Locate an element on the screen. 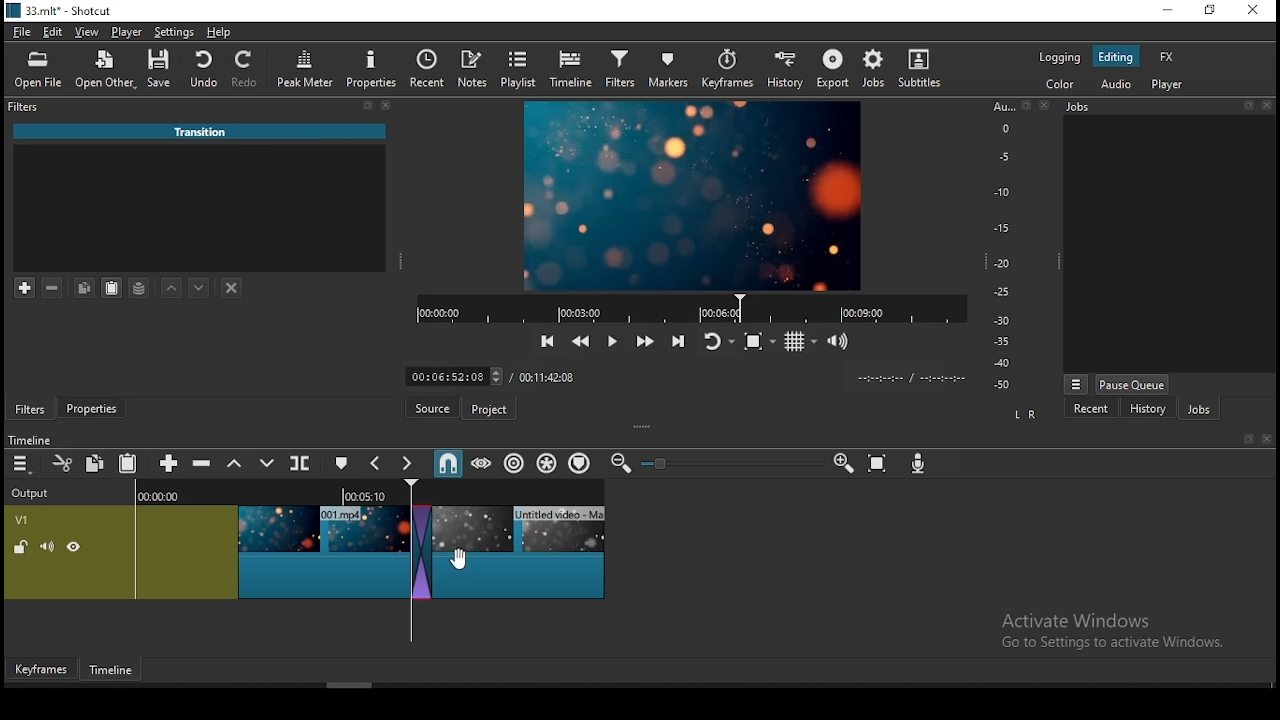  history is located at coordinates (782, 67).